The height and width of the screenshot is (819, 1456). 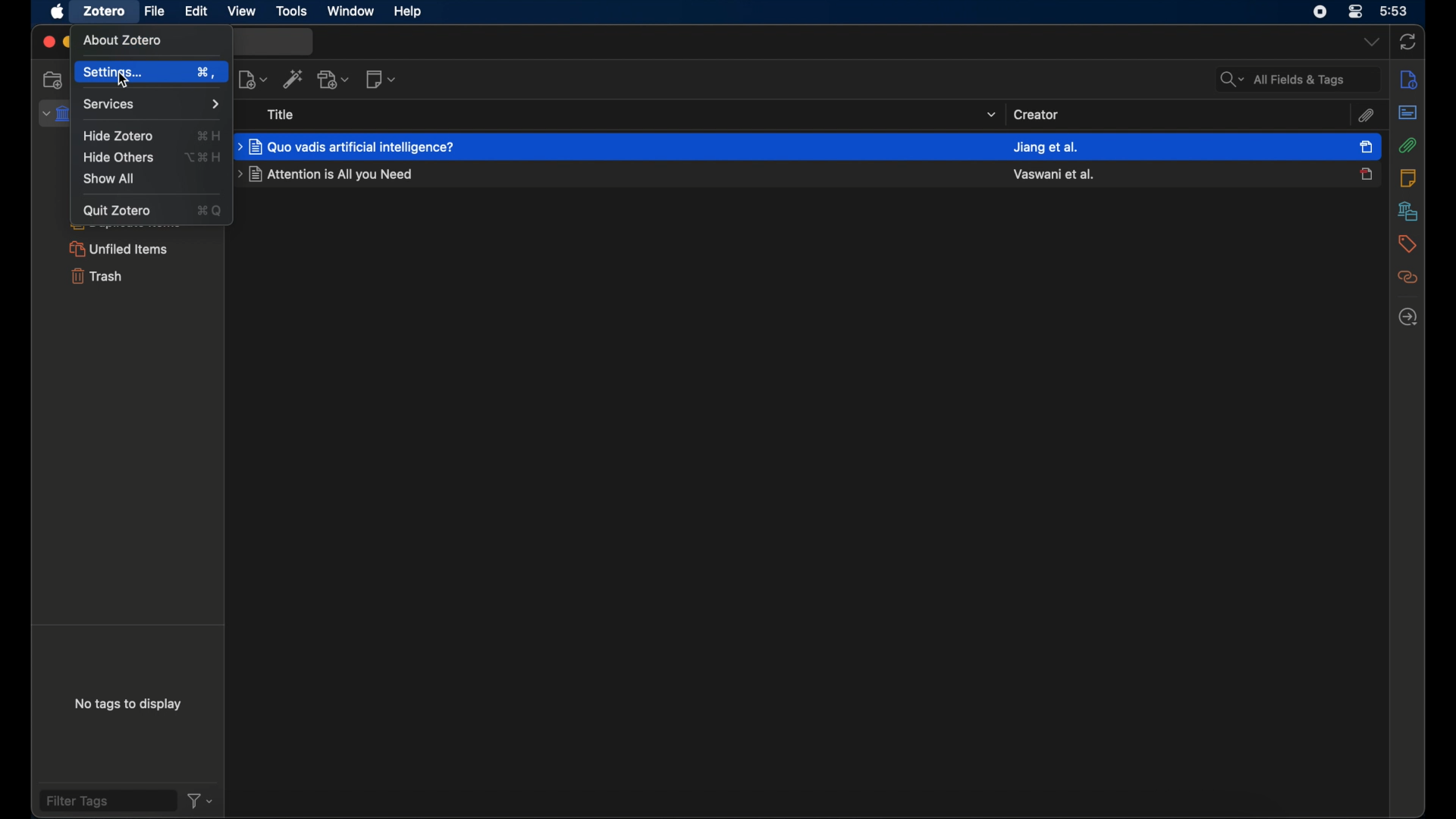 What do you see at coordinates (1408, 277) in the screenshot?
I see `related` at bounding box center [1408, 277].